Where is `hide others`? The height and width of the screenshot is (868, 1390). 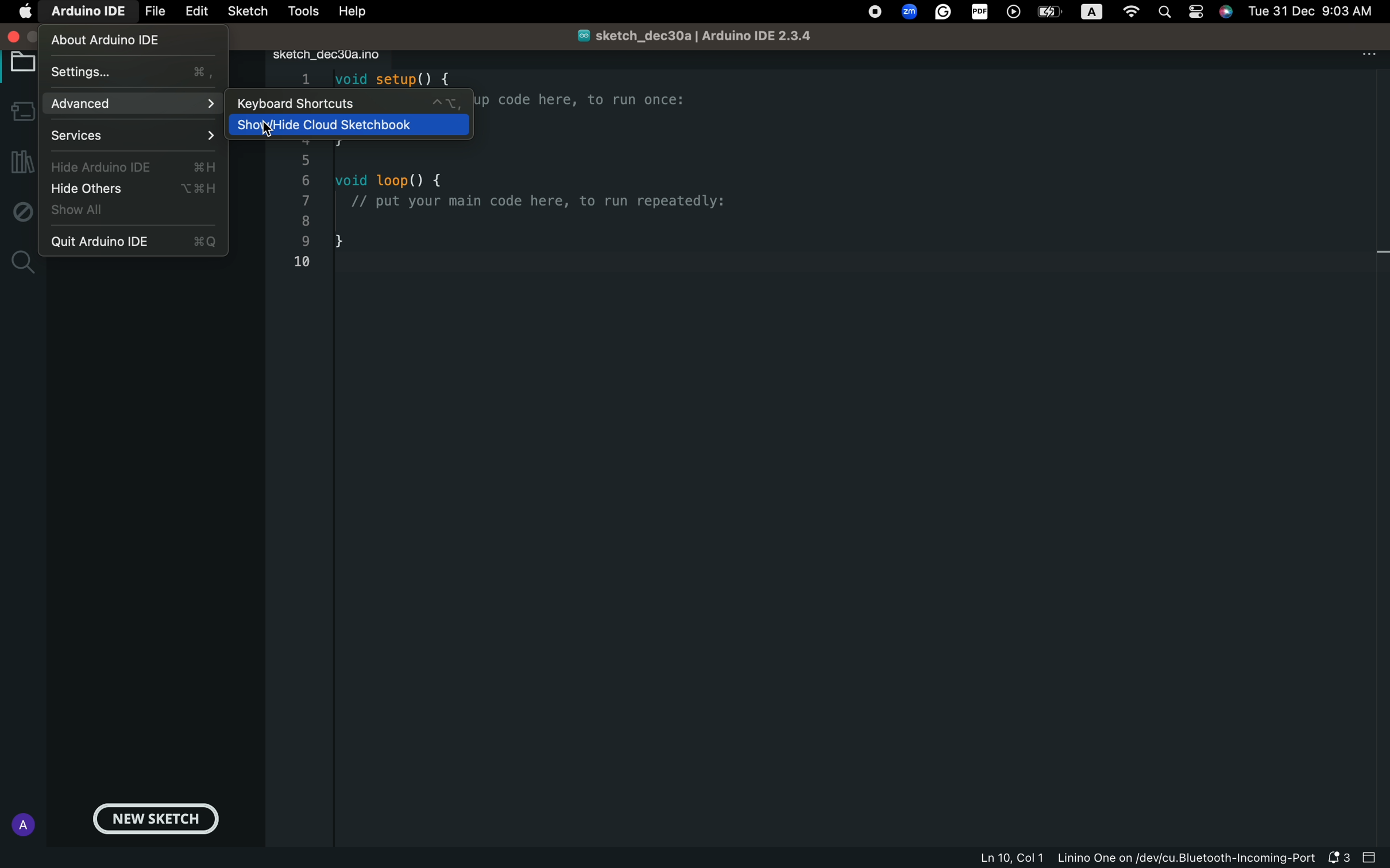
hide others is located at coordinates (134, 190).